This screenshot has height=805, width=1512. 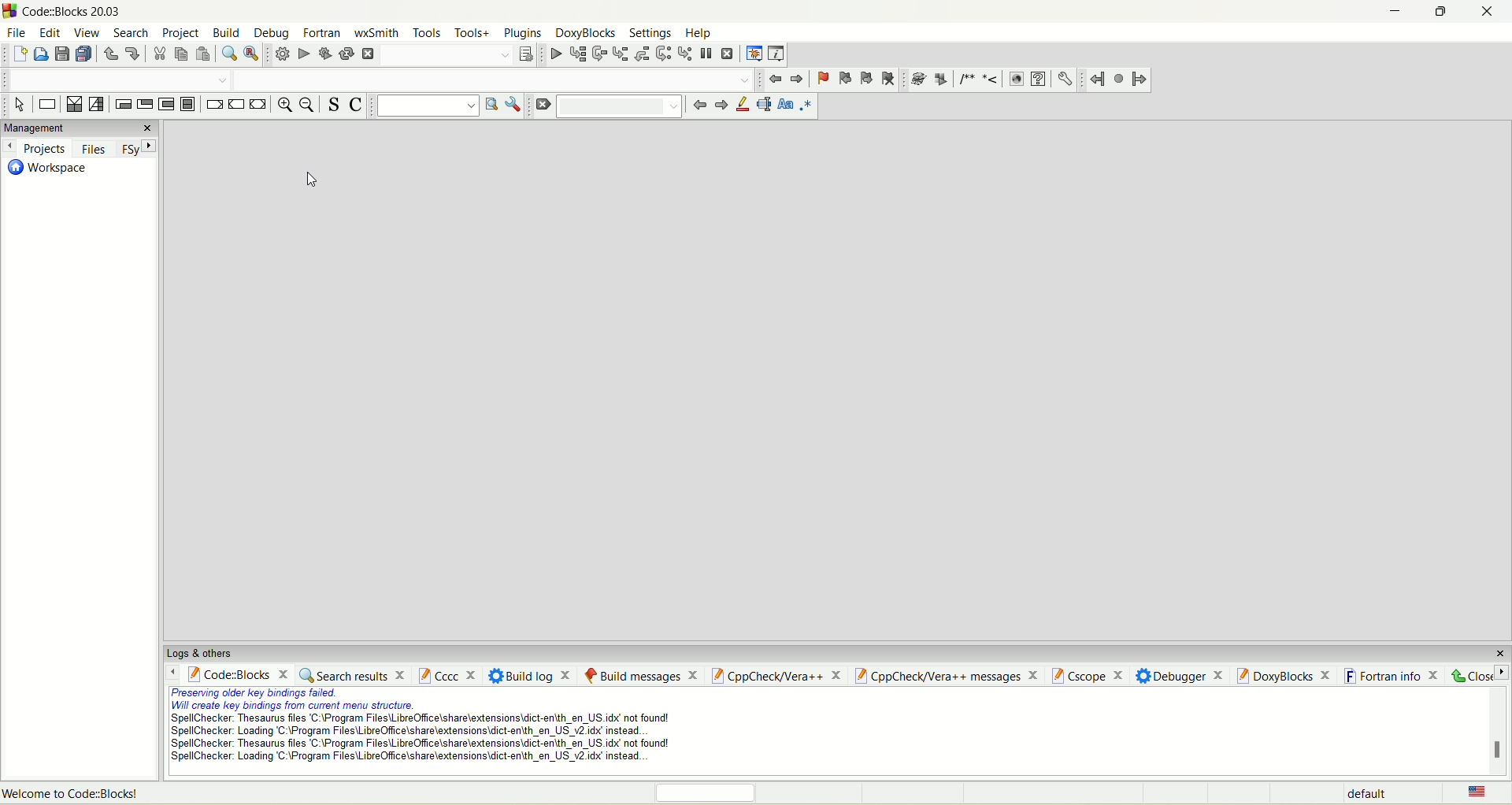 I want to click on selected text, so click(x=763, y=107).